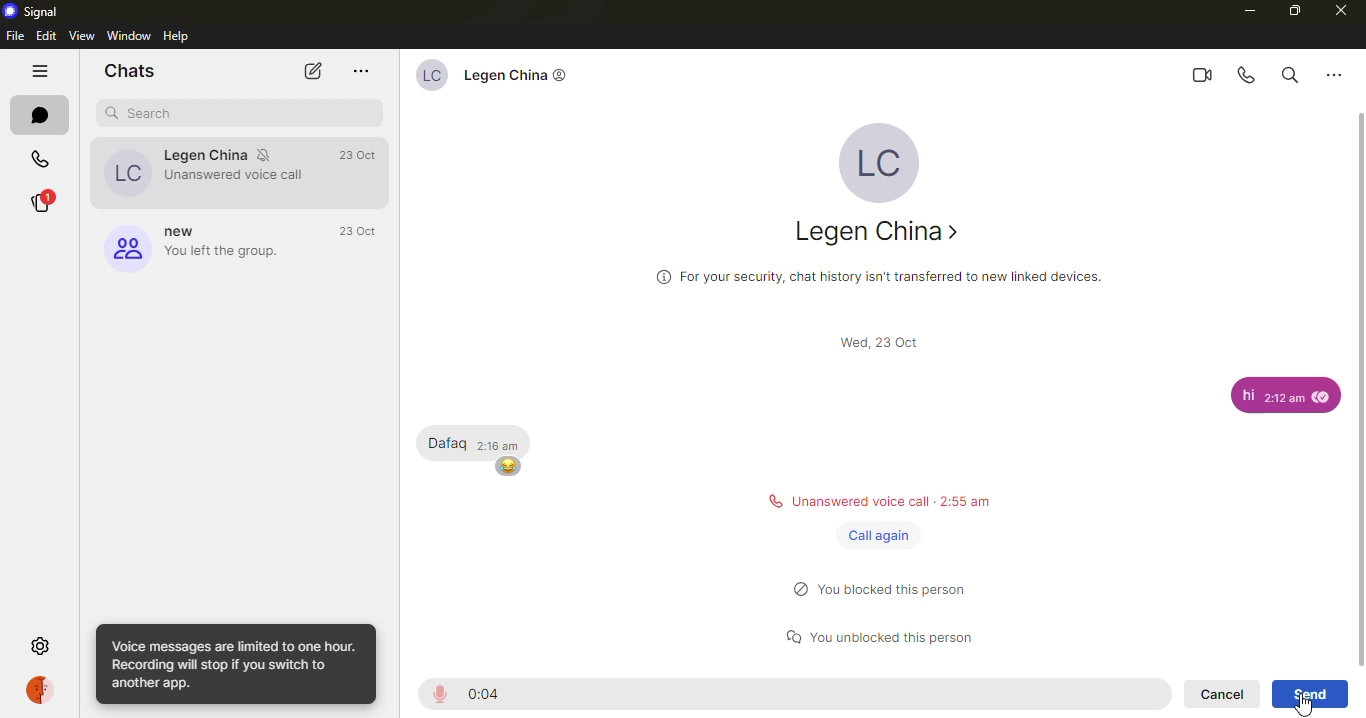 The image size is (1366, 718). I want to click on message, so click(478, 439).